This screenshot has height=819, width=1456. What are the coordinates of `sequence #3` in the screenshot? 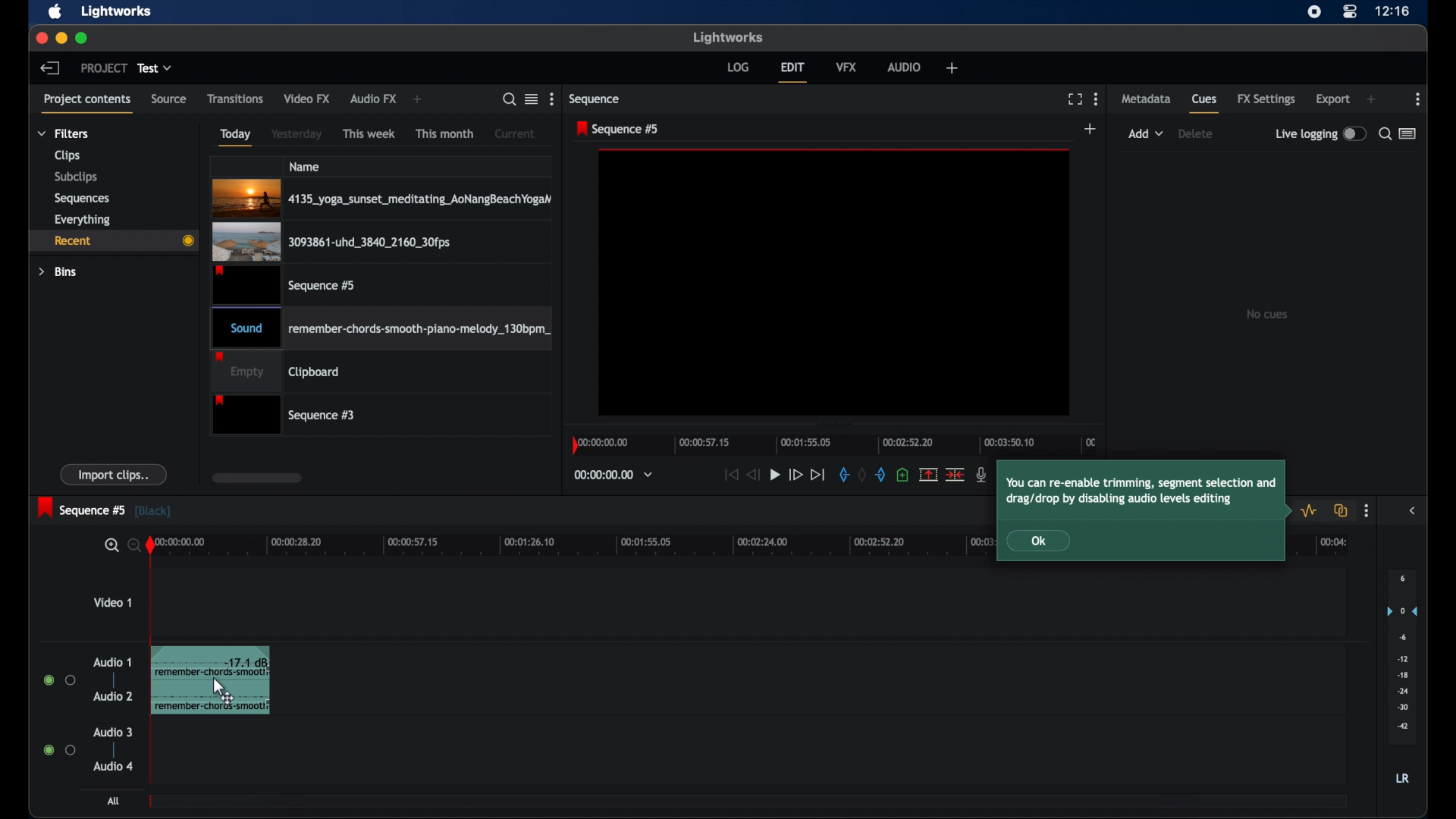 It's located at (286, 416).